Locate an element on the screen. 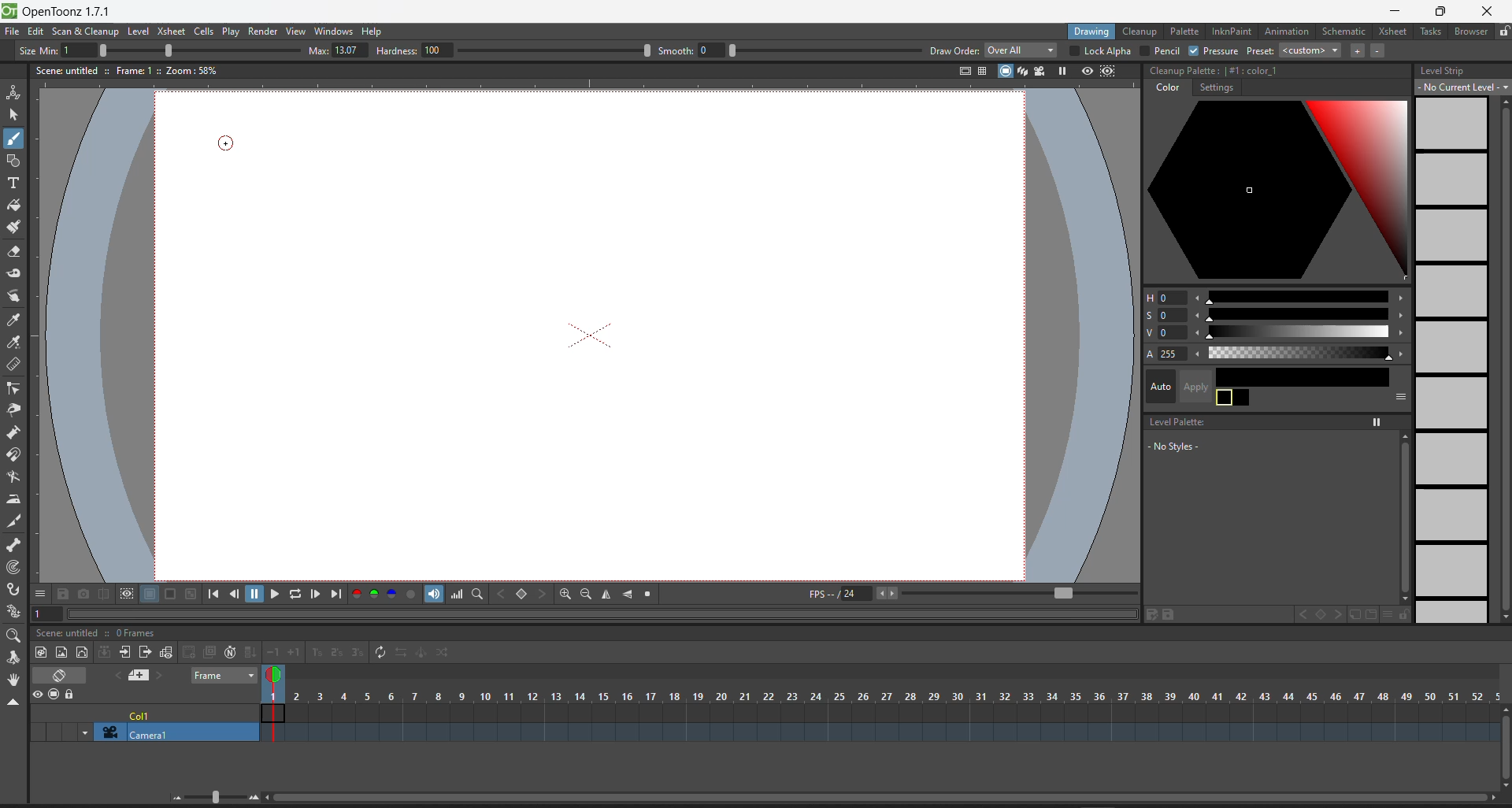 The image size is (1512, 808). plastic tool is located at coordinates (17, 612).